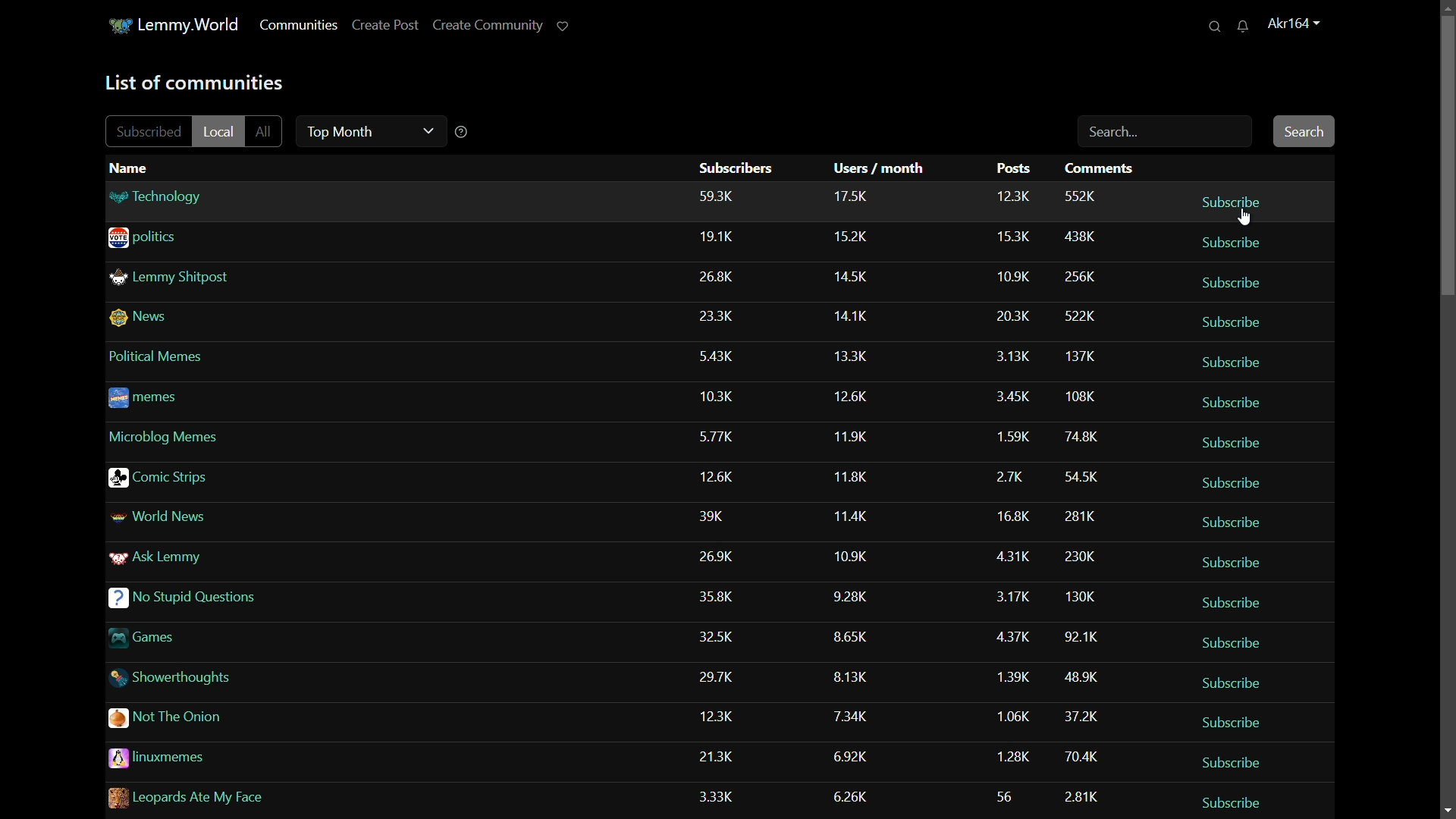 This screenshot has width=1456, height=819. What do you see at coordinates (719, 279) in the screenshot?
I see `` at bounding box center [719, 279].